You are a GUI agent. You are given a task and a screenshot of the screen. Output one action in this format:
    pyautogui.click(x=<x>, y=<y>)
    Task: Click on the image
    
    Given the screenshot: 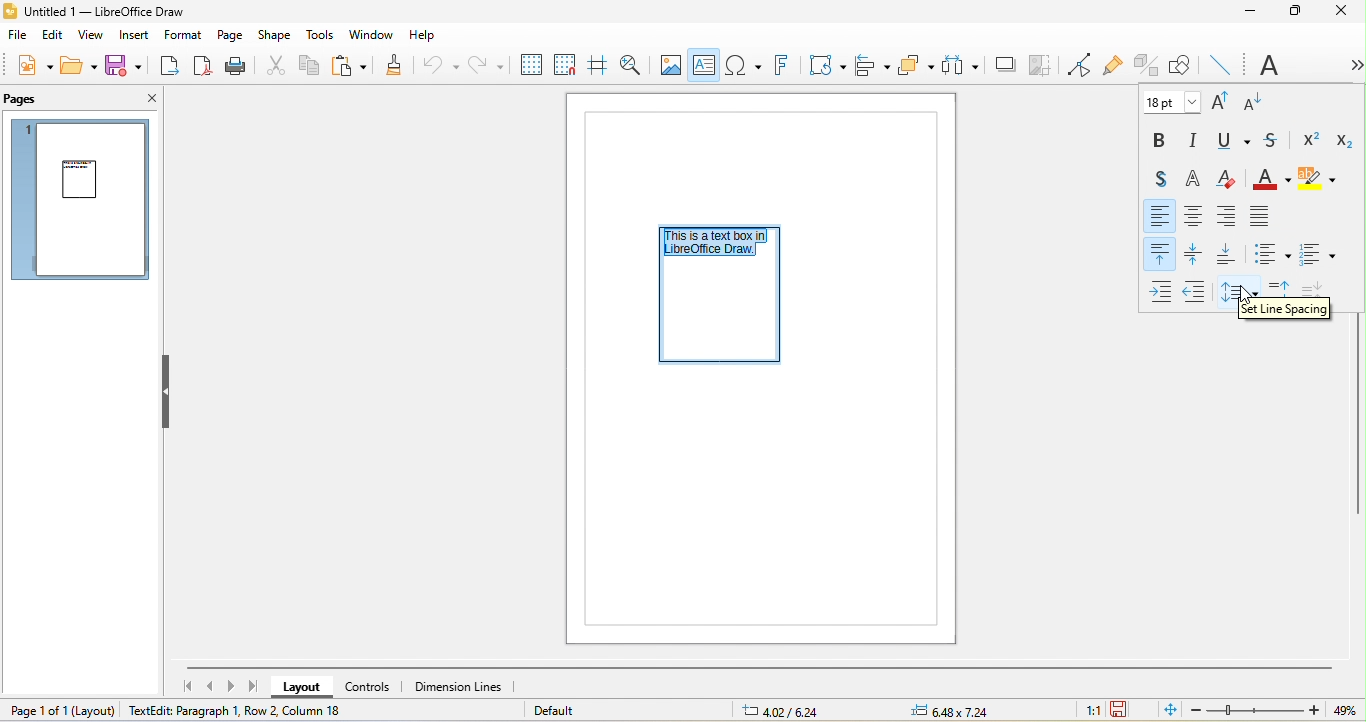 What is the action you would take?
    pyautogui.click(x=672, y=63)
    